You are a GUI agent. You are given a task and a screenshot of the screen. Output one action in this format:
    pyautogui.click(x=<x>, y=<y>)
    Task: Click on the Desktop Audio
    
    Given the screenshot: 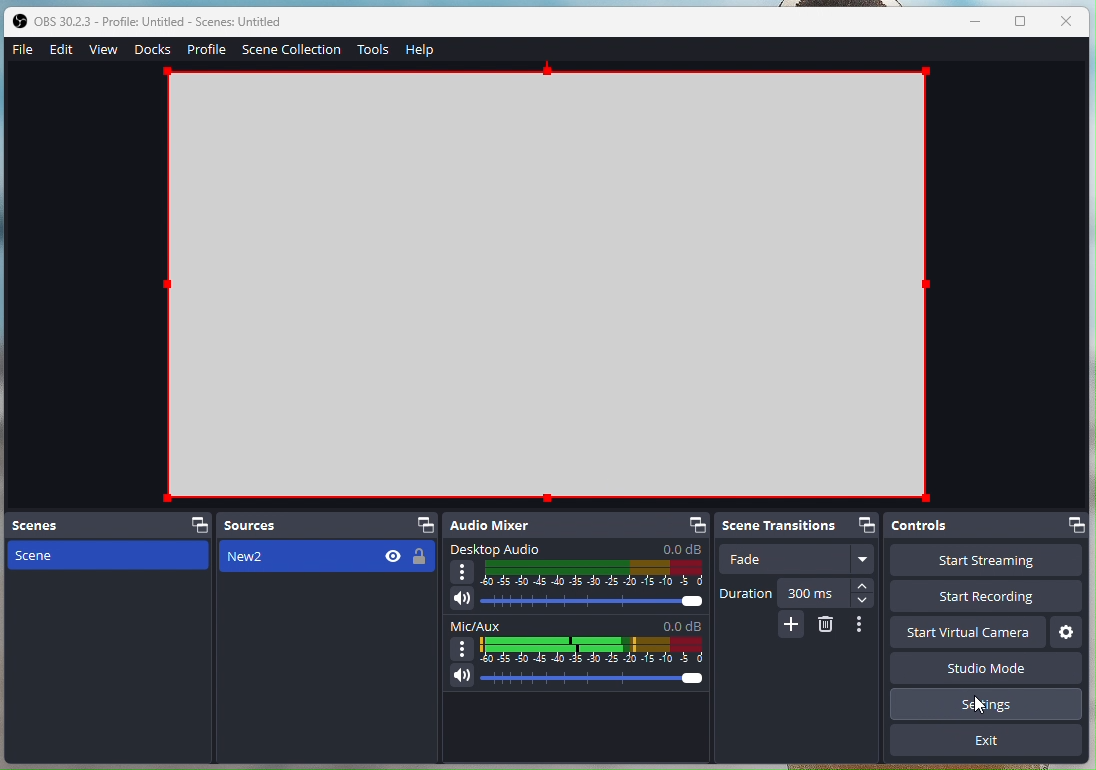 What is the action you would take?
    pyautogui.click(x=504, y=548)
    